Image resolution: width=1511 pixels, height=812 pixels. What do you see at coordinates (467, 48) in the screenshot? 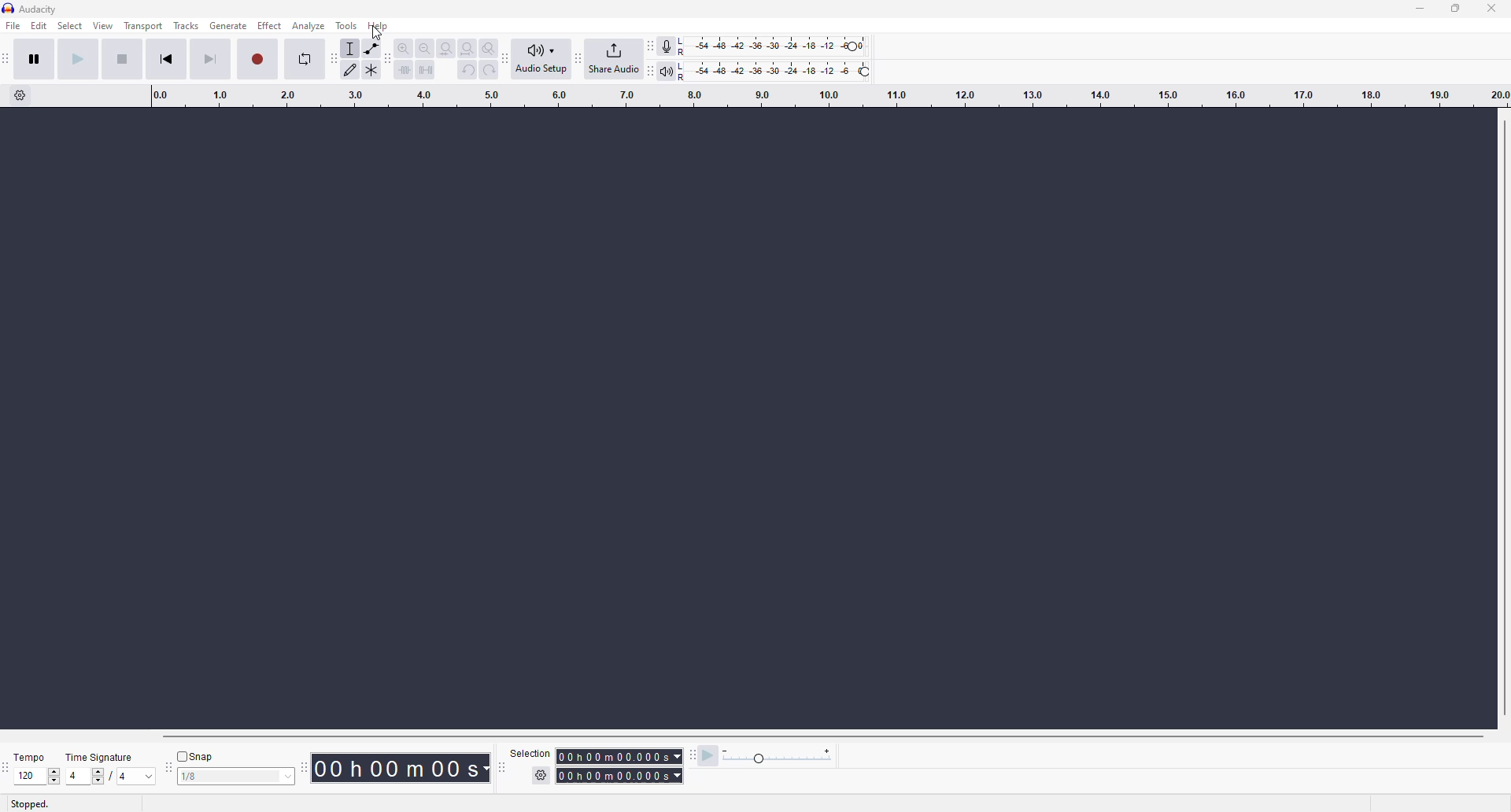
I see `fit project to width` at bounding box center [467, 48].